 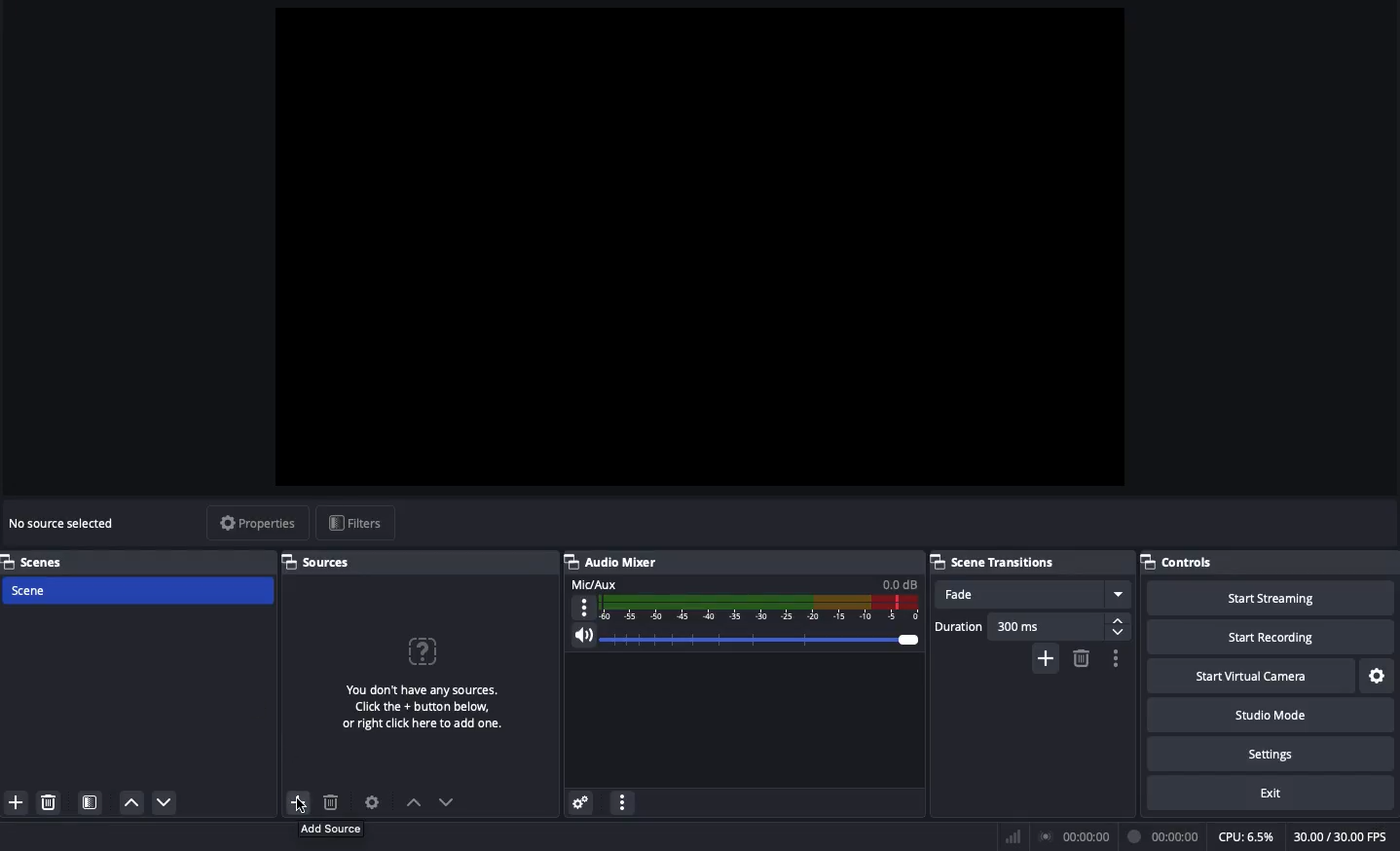 What do you see at coordinates (1269, 713) in the screenshot?
I see `Studio mode` at bounding box center [1269, 713].